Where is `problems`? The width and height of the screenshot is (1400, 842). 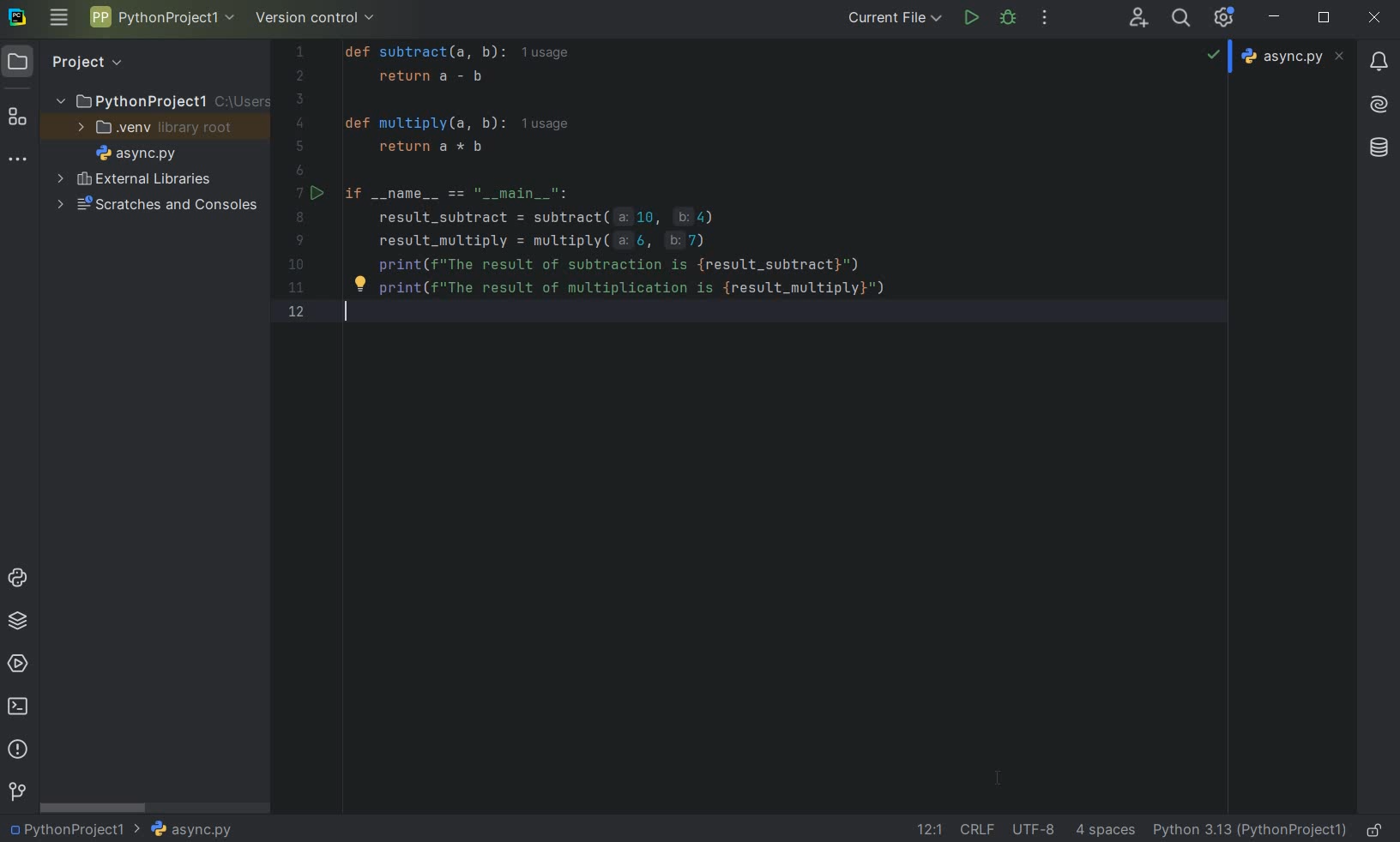 problems is located at coordinates (16, 748).